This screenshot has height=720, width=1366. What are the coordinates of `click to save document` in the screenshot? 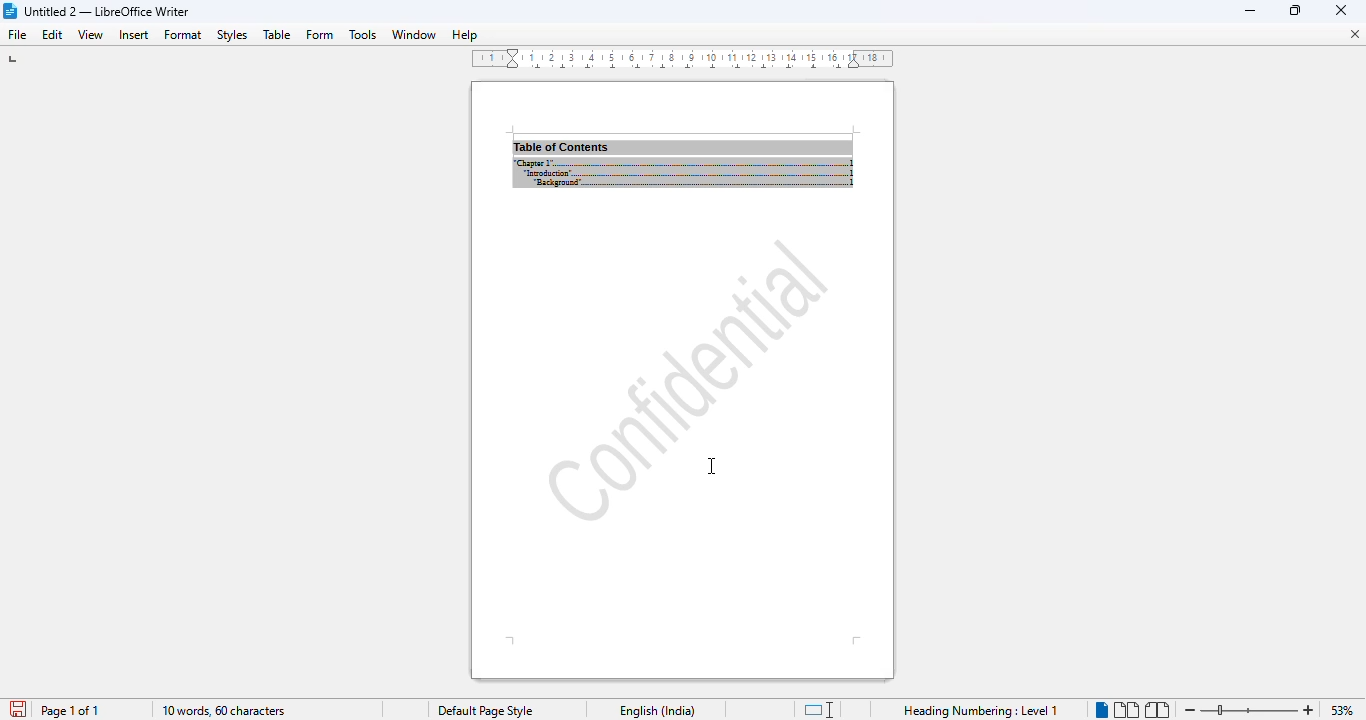 It's located at (19, 709).